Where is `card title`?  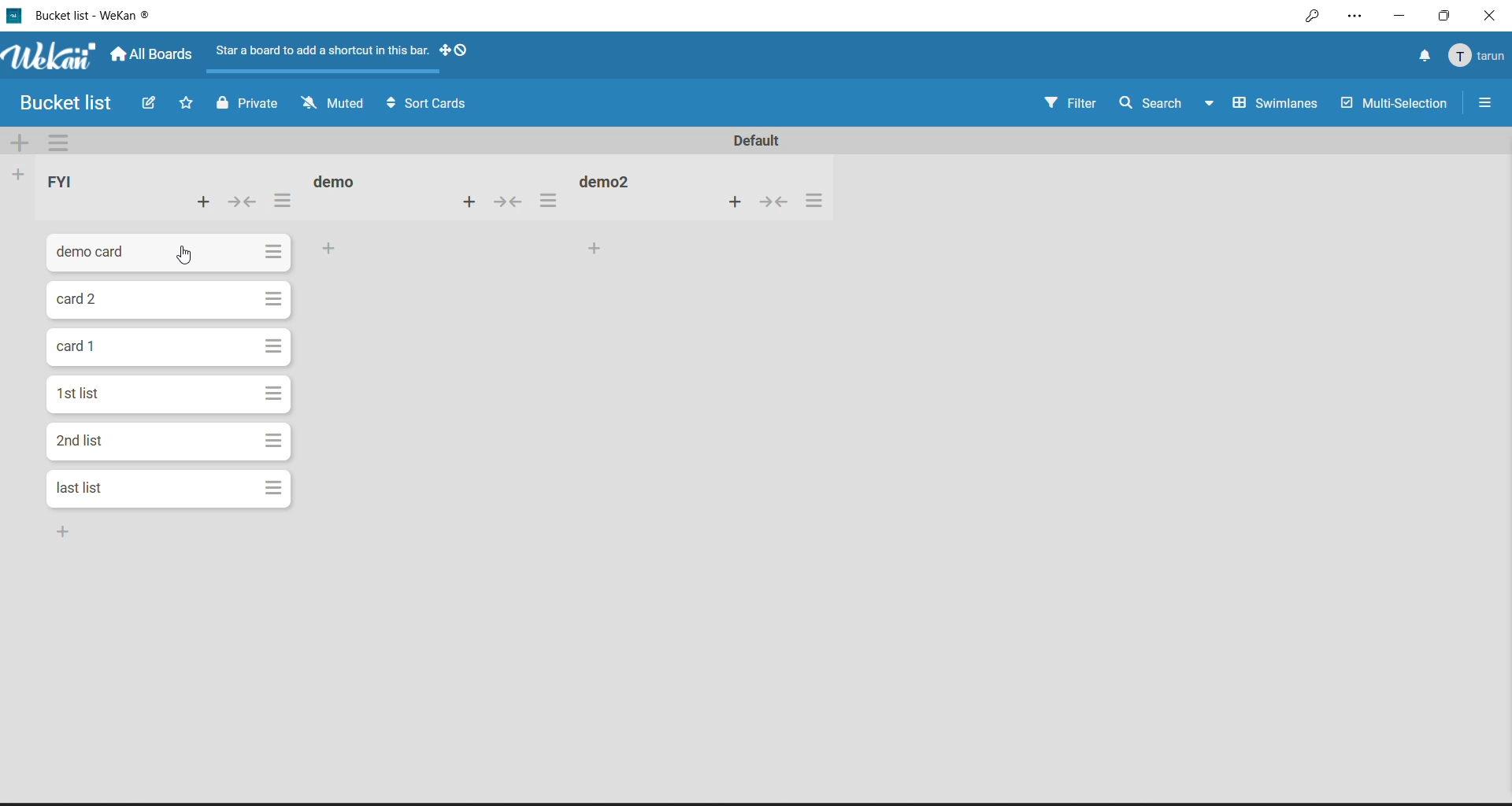
card title is located at coordinates (79, 301).